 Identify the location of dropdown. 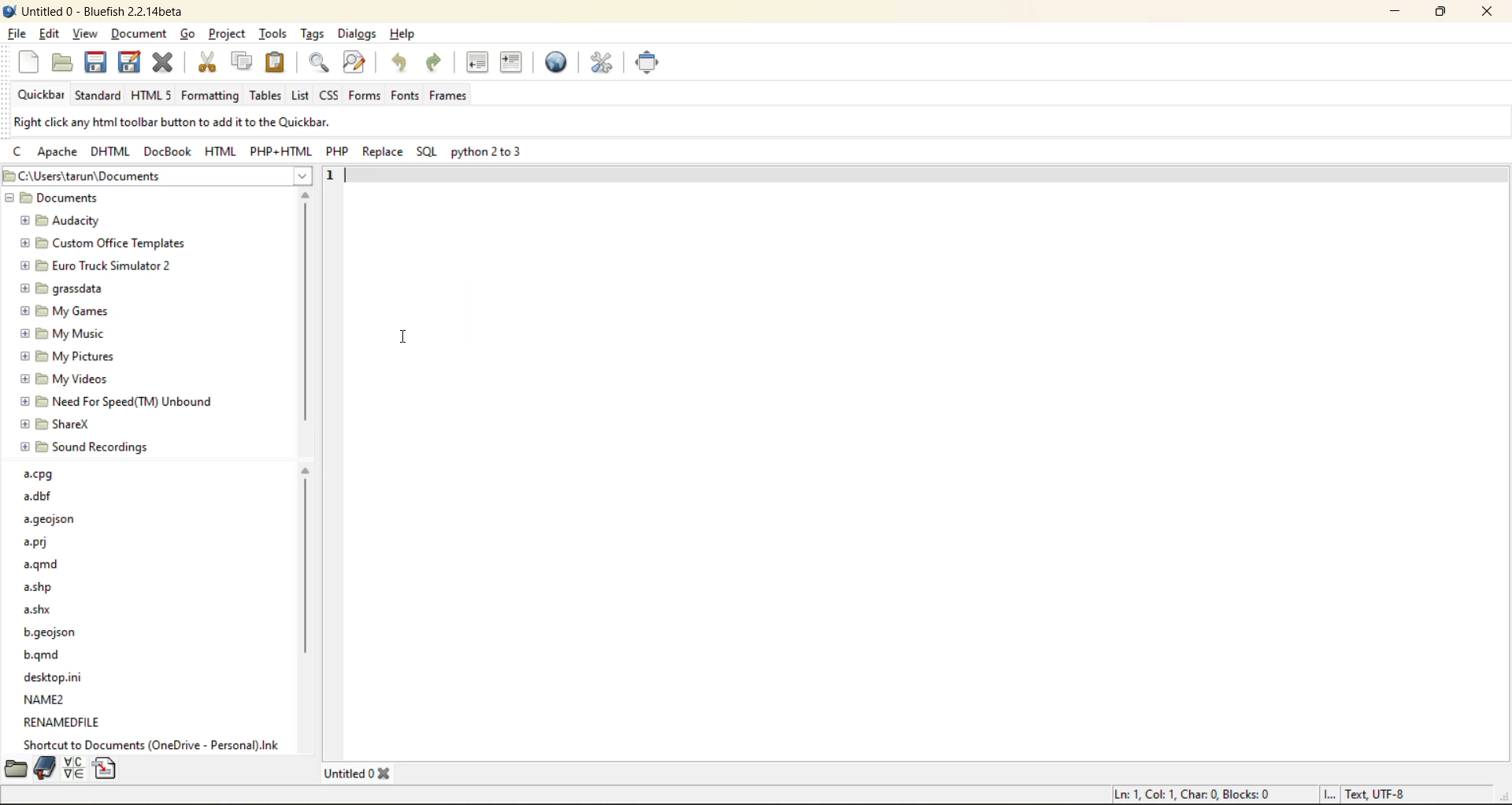
(307, 176).